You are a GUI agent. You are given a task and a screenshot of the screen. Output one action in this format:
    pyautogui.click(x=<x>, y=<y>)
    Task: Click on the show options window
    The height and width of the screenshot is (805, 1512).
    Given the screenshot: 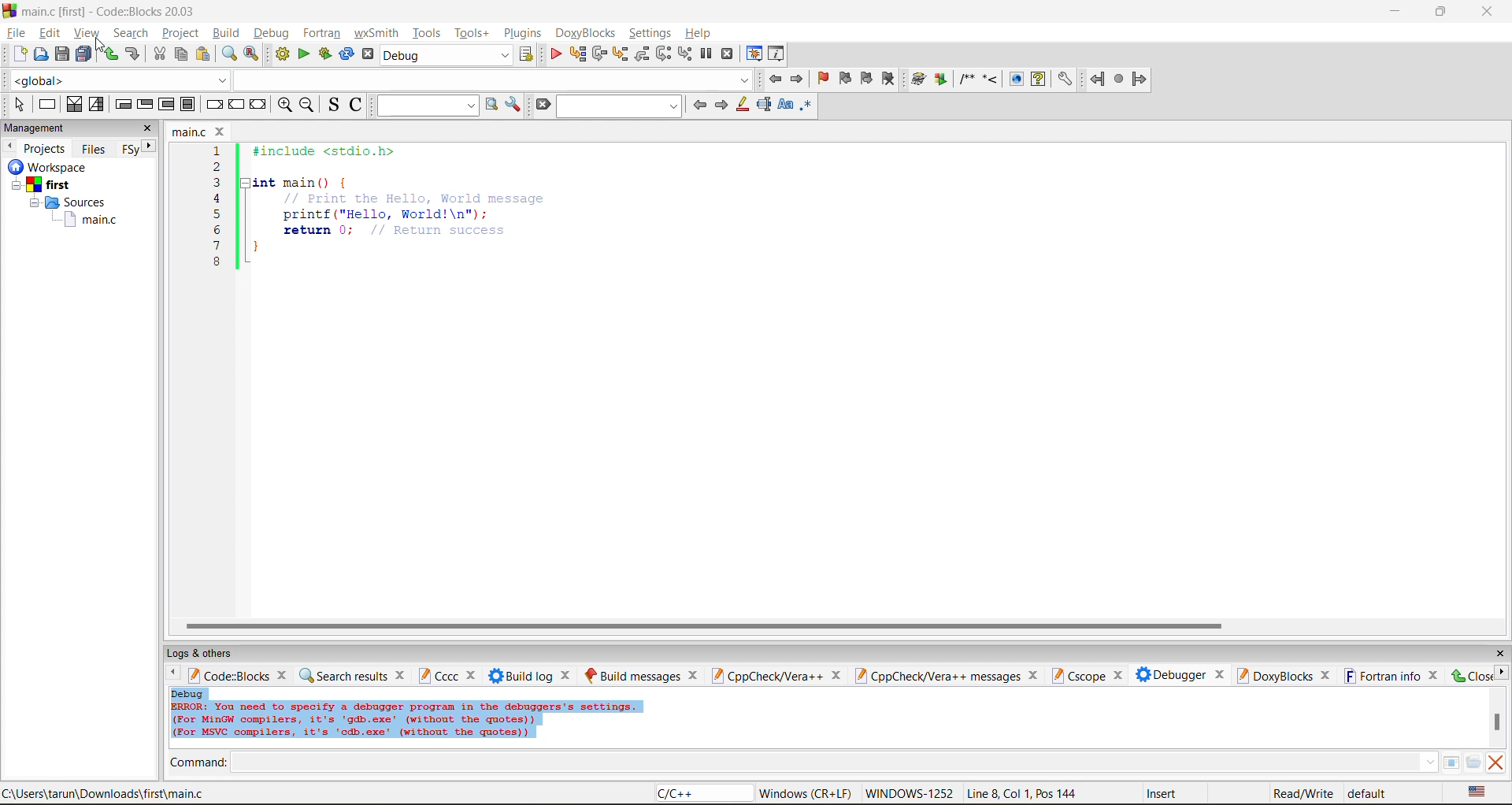 What is the action you would take?
    pyautogui.click(x=514, y=106)
    